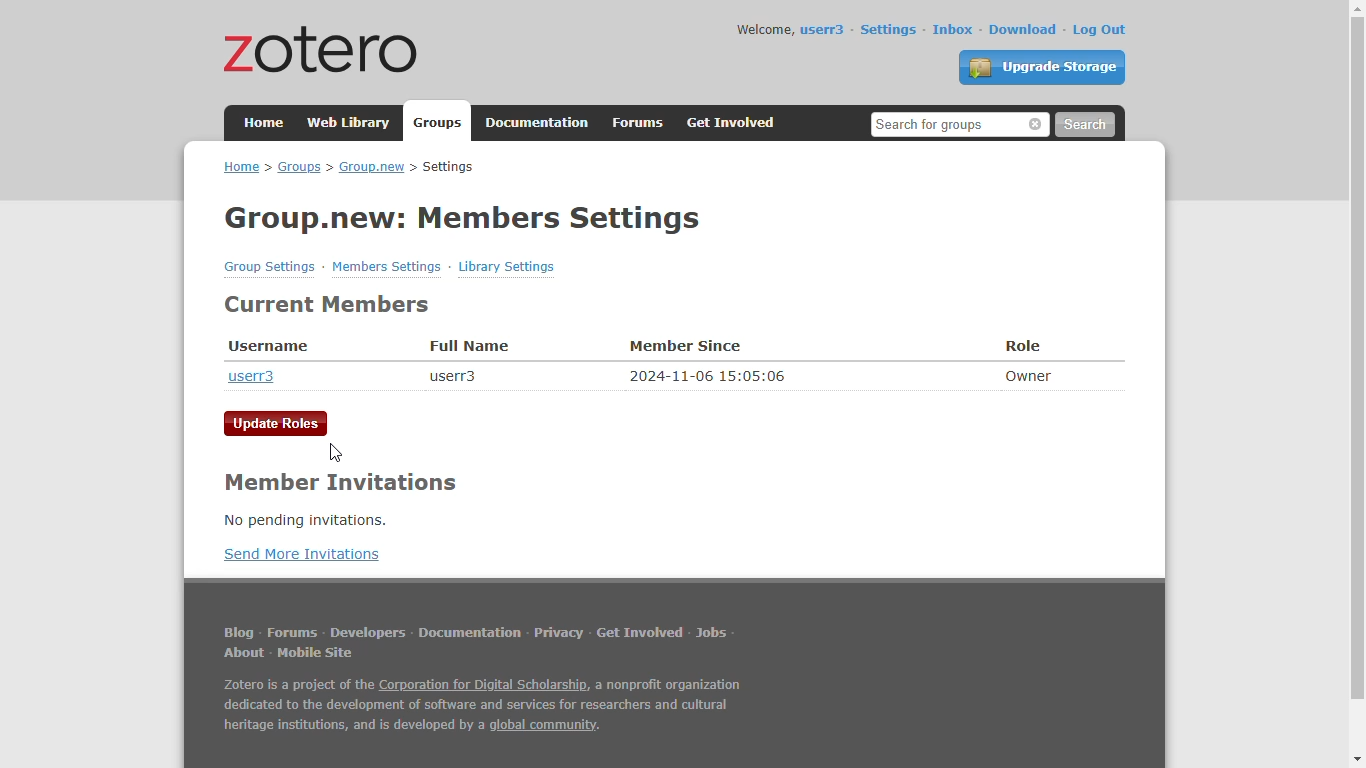 The height and width of the screenshot is (768, 1366). Describe the element at coordinates (368, 632) in the screenshot. I see `developers` at that location.